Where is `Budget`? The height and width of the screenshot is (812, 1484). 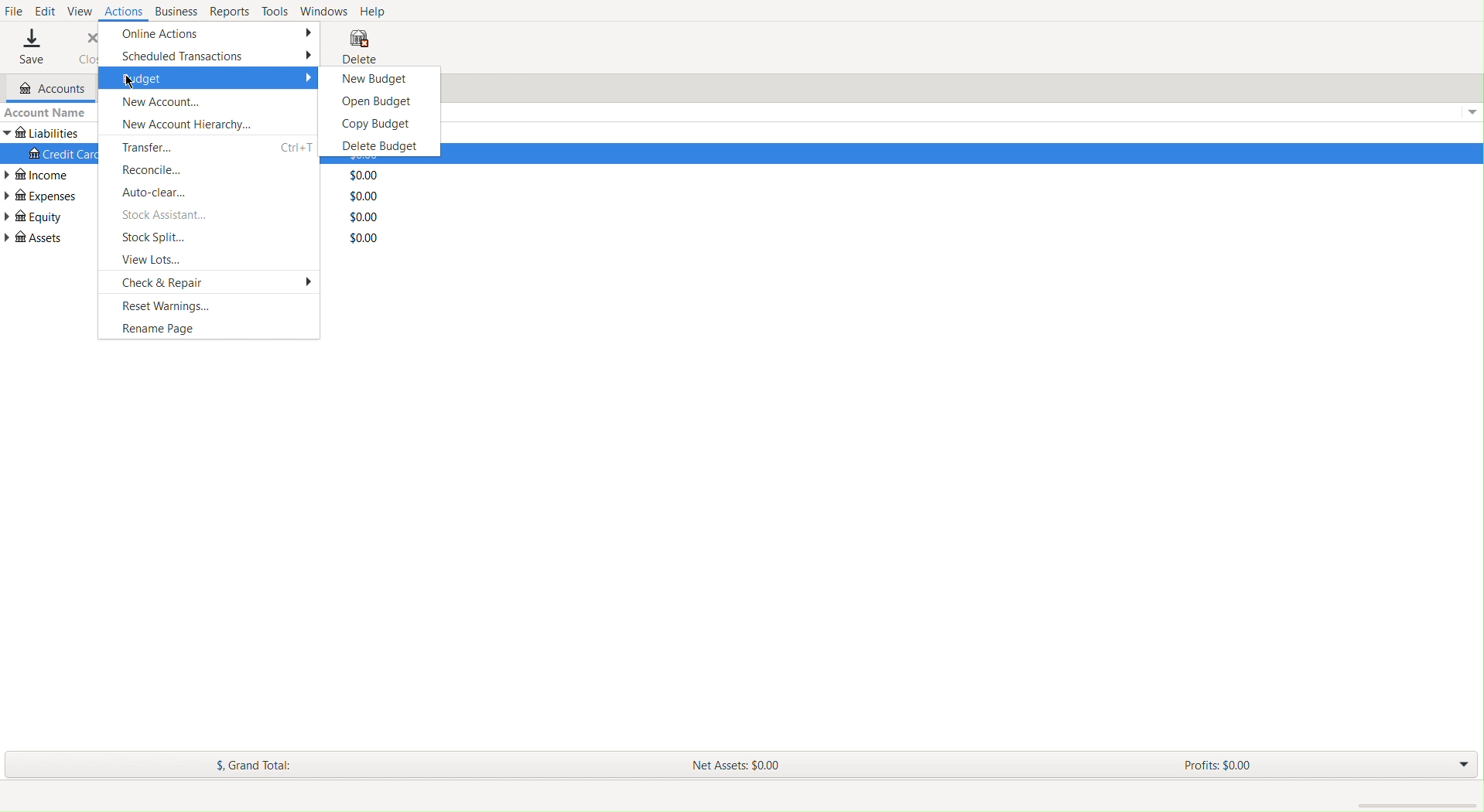 Budget is located at coordinates (209, 78).